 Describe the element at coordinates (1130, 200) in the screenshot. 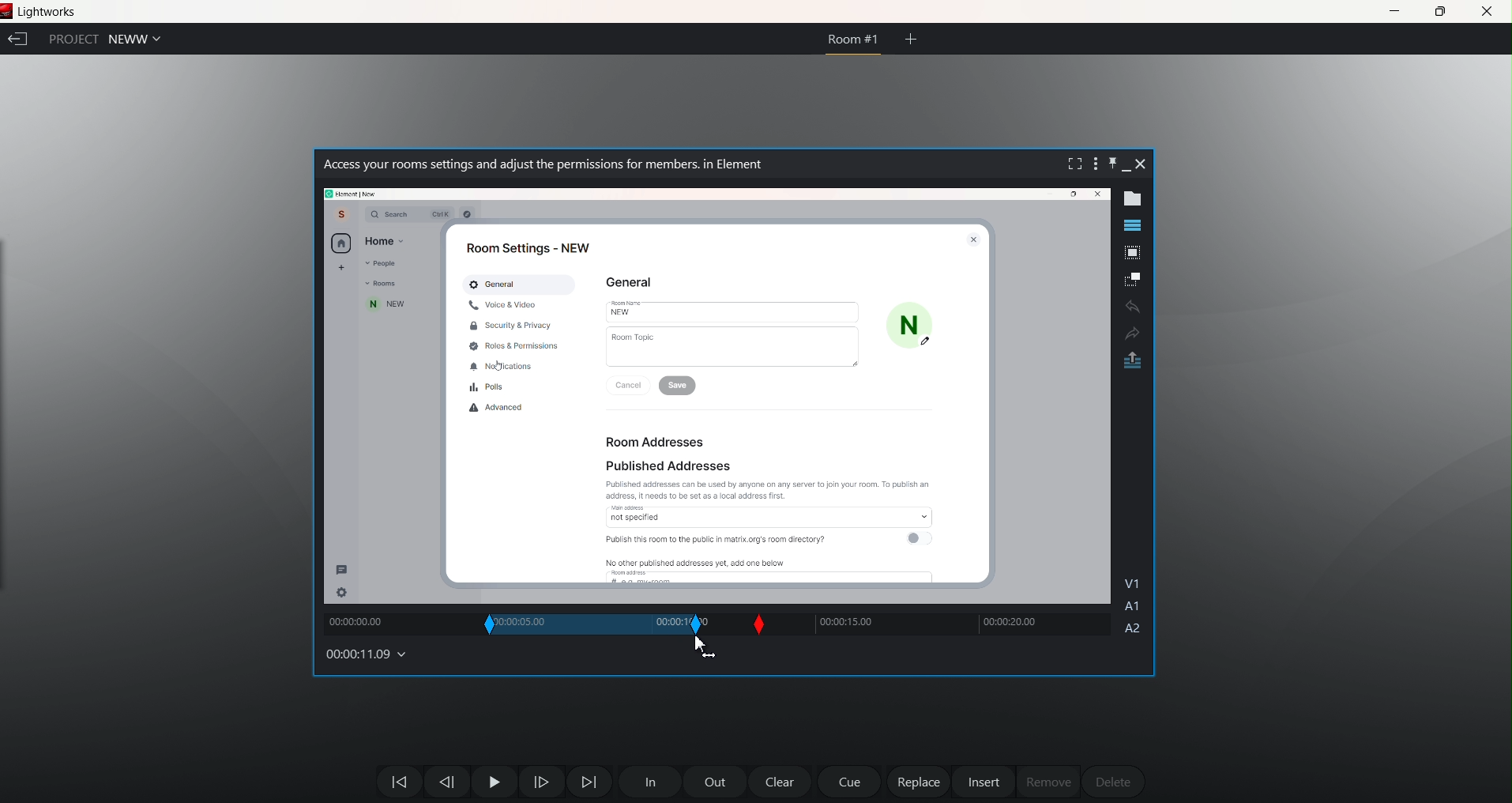

I see `show metadata` at that location.